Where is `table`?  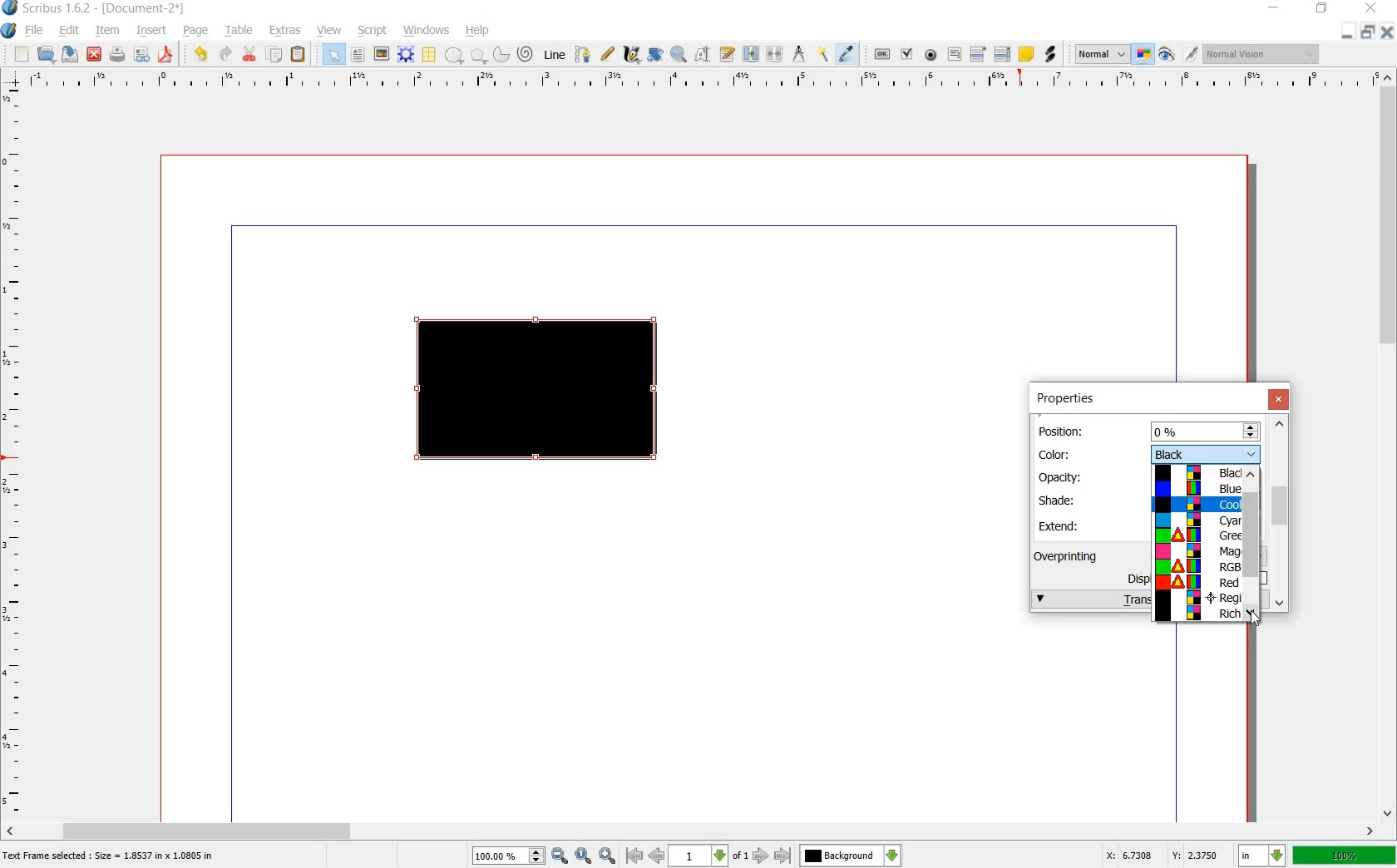
table is located at coordinates (430, 55).